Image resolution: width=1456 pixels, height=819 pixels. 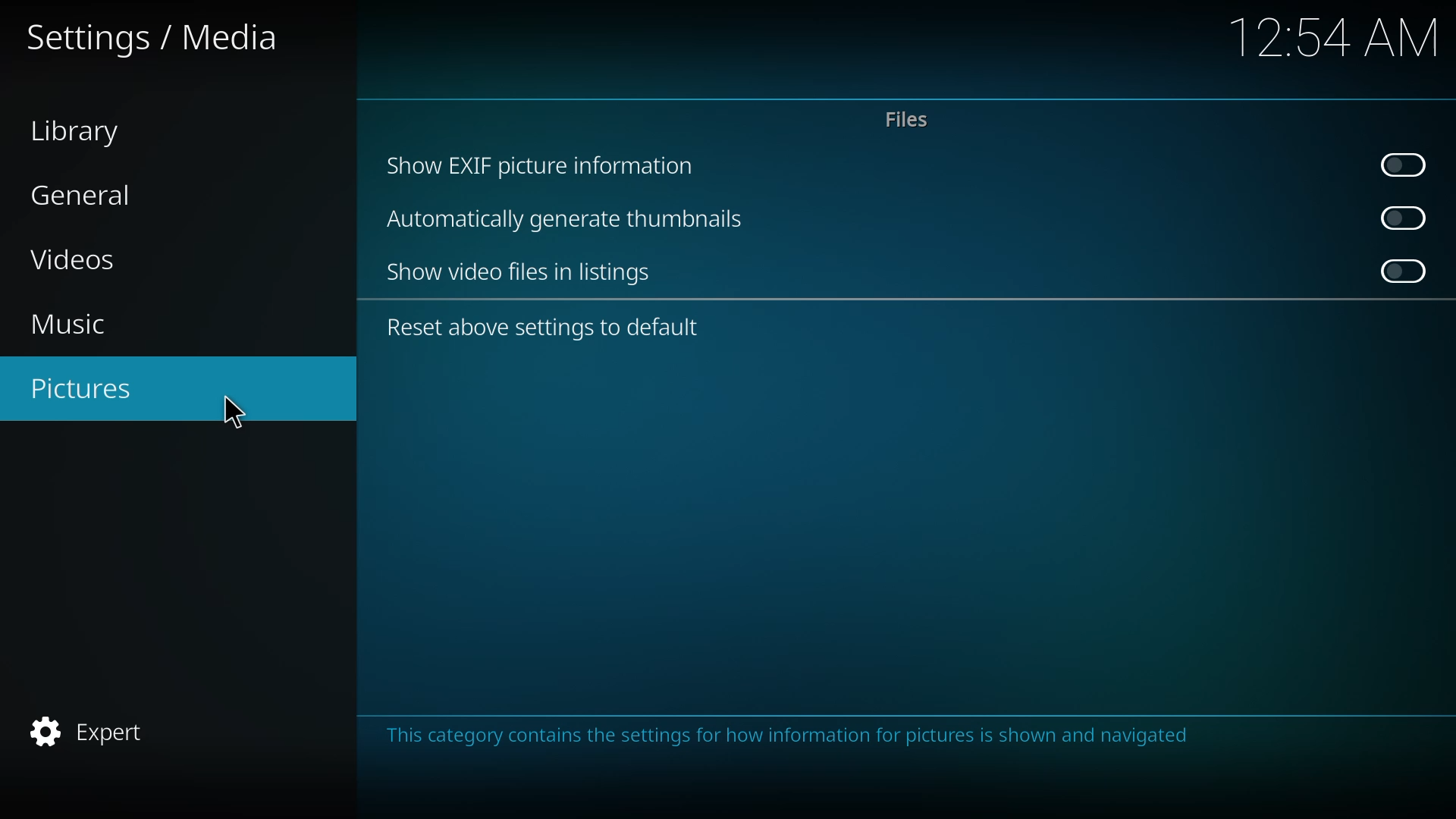 What do you see at coordinates (1403, 163) in the screenshot?
I see `click to enable` at bounding box center [1403, 163].